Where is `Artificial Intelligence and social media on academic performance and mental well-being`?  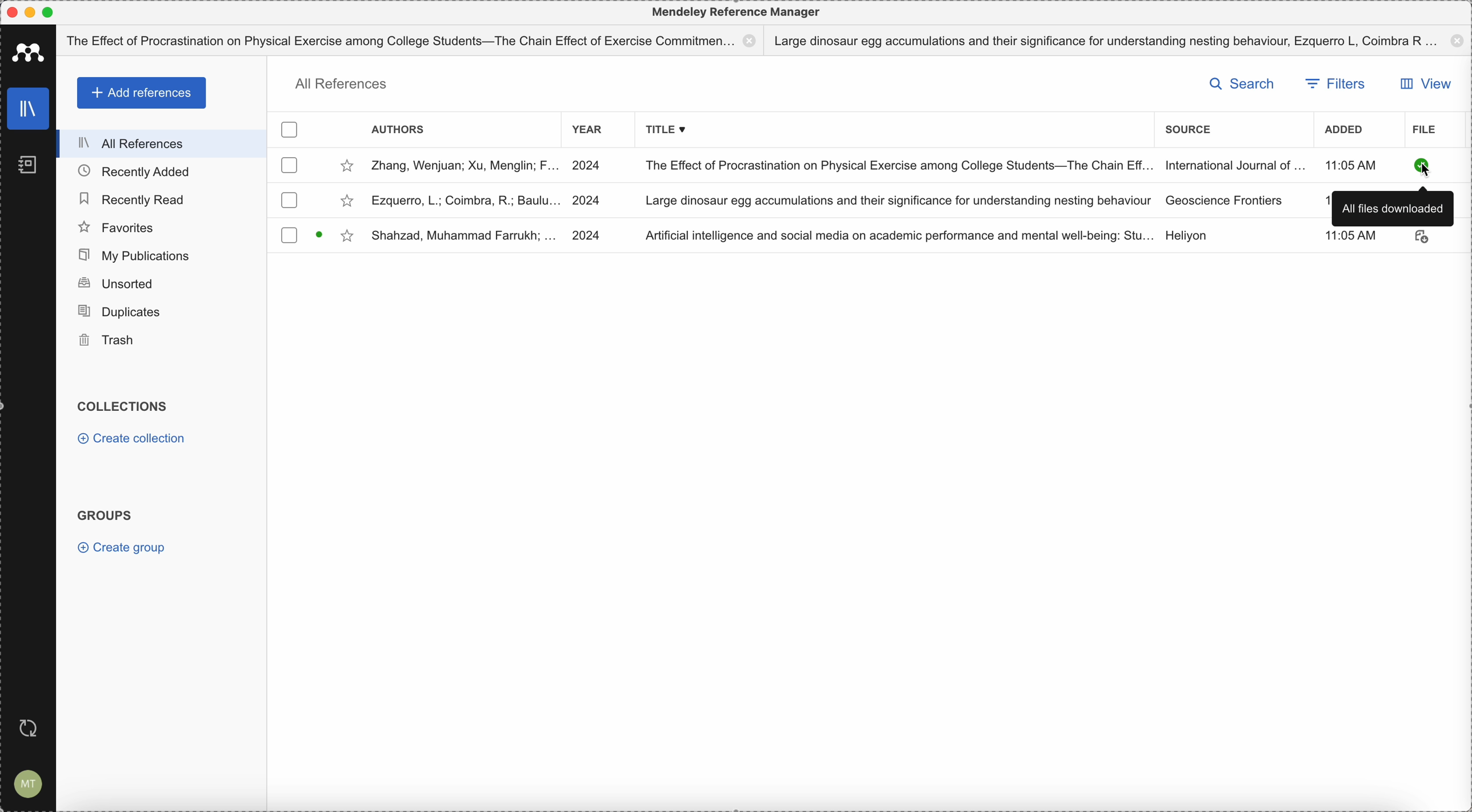 Artificial Intelligence and social media on academic performance and mental well-being is located at coordinates (898, 238).